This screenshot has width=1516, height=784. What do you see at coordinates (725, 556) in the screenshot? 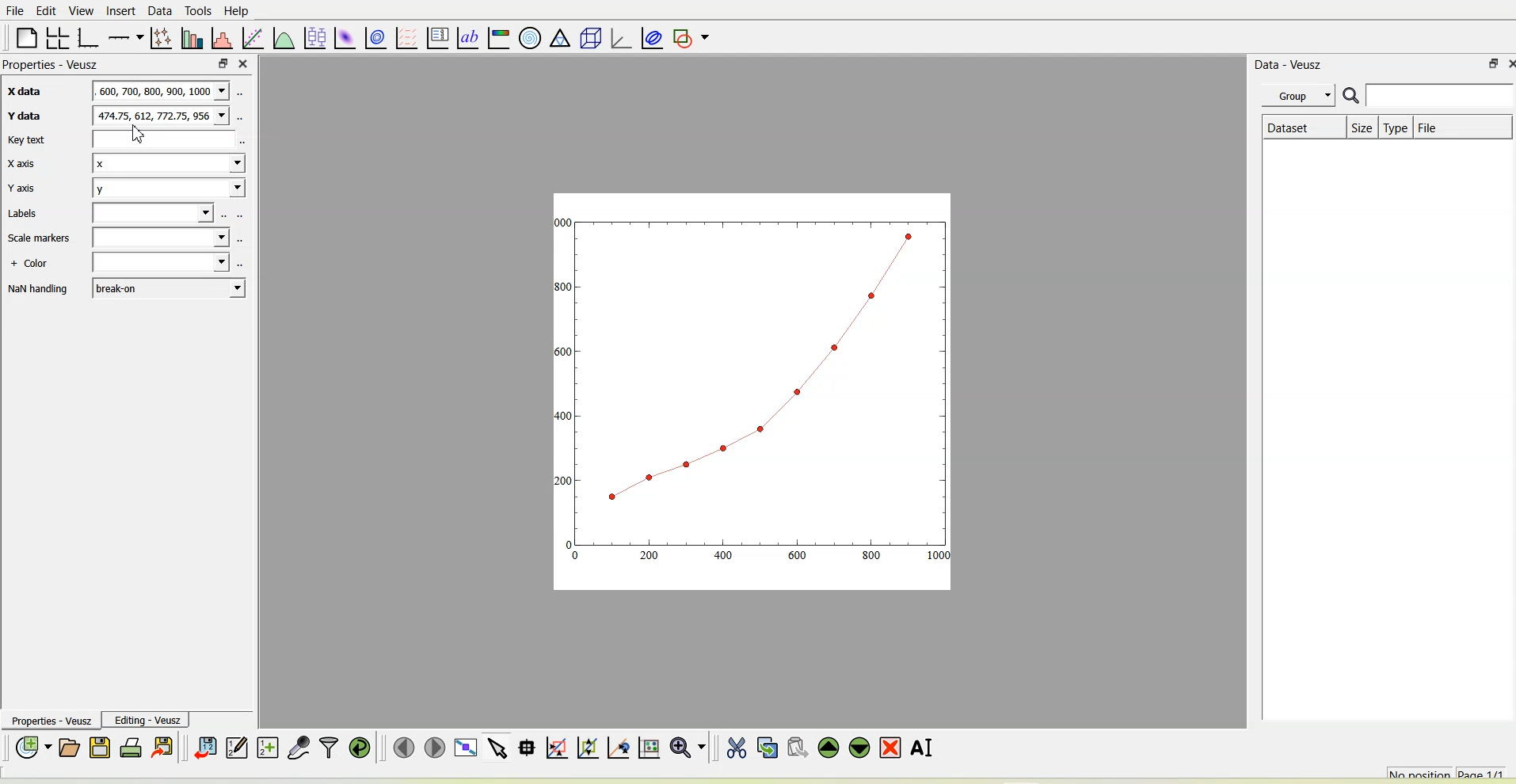
I see `400` at bounding box center [725, 556].